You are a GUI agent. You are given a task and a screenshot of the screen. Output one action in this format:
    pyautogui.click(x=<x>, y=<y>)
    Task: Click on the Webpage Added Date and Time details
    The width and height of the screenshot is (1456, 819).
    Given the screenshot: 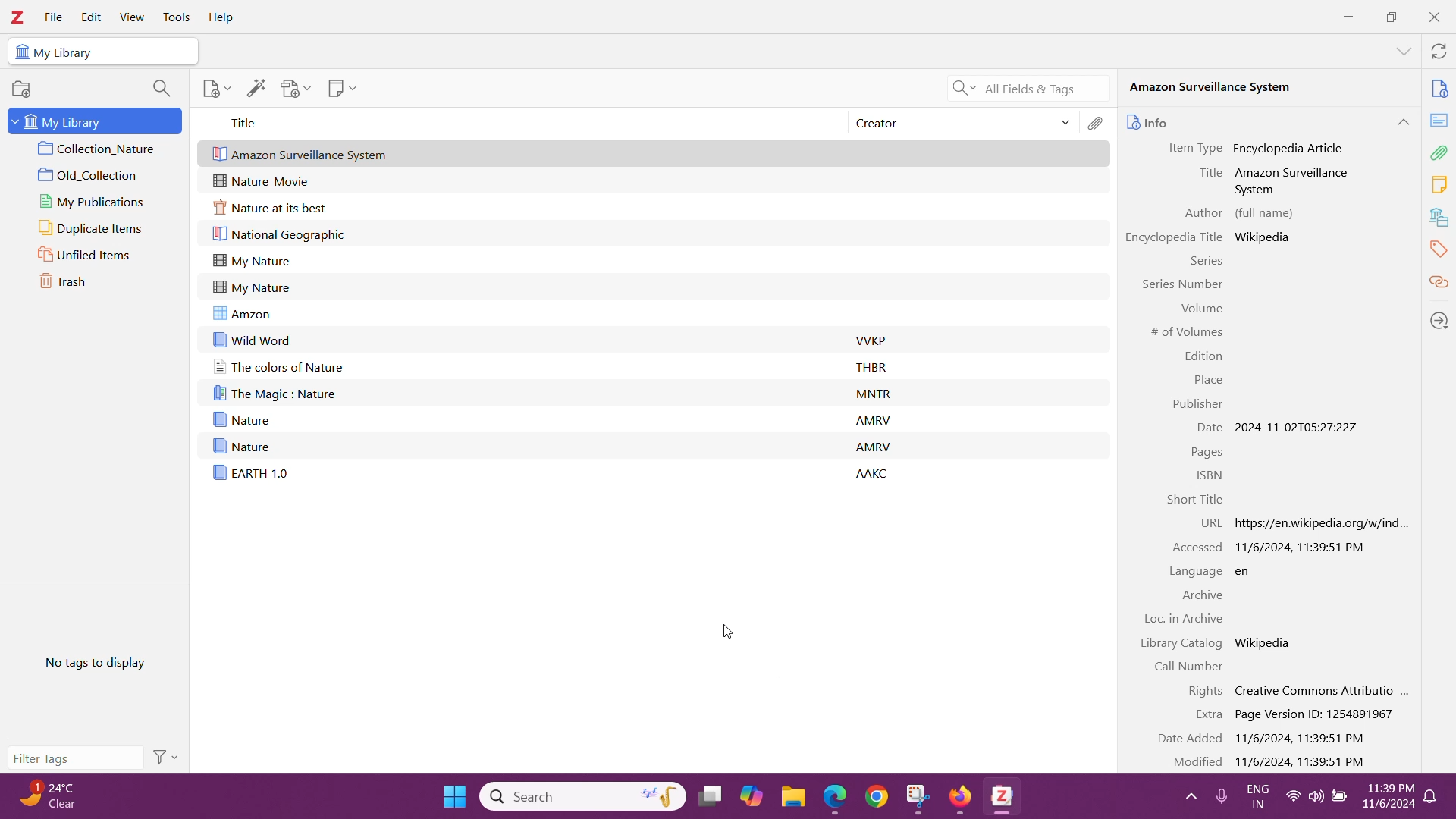 What is the action you would take?
    pyautogui.click(x=1310, y=738)
    